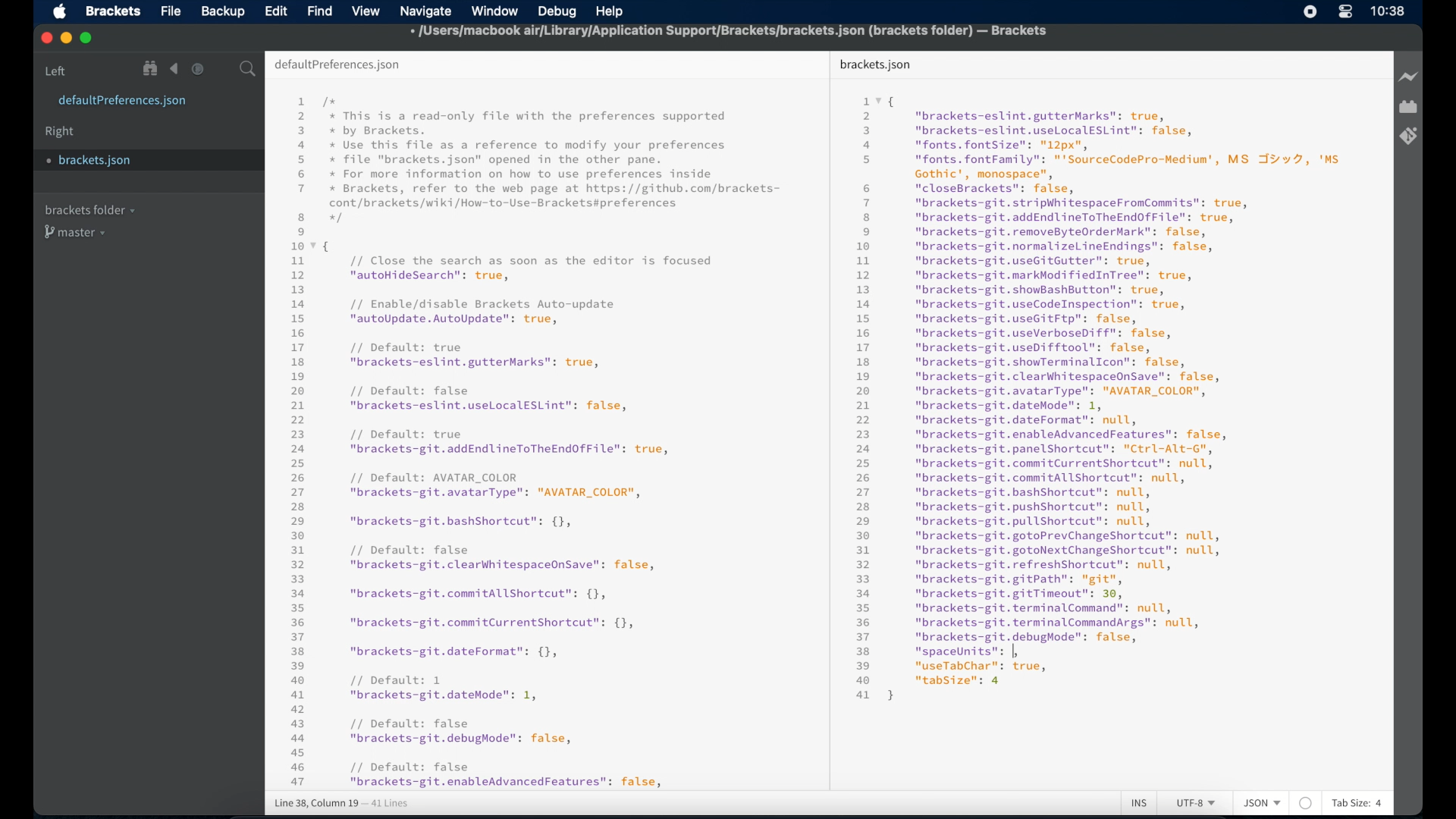 This screenshot has height=819, width=1456. What do you see at coordinates (60, 132) in the screenshot?
I see `right` at bounding box center [60, 132].